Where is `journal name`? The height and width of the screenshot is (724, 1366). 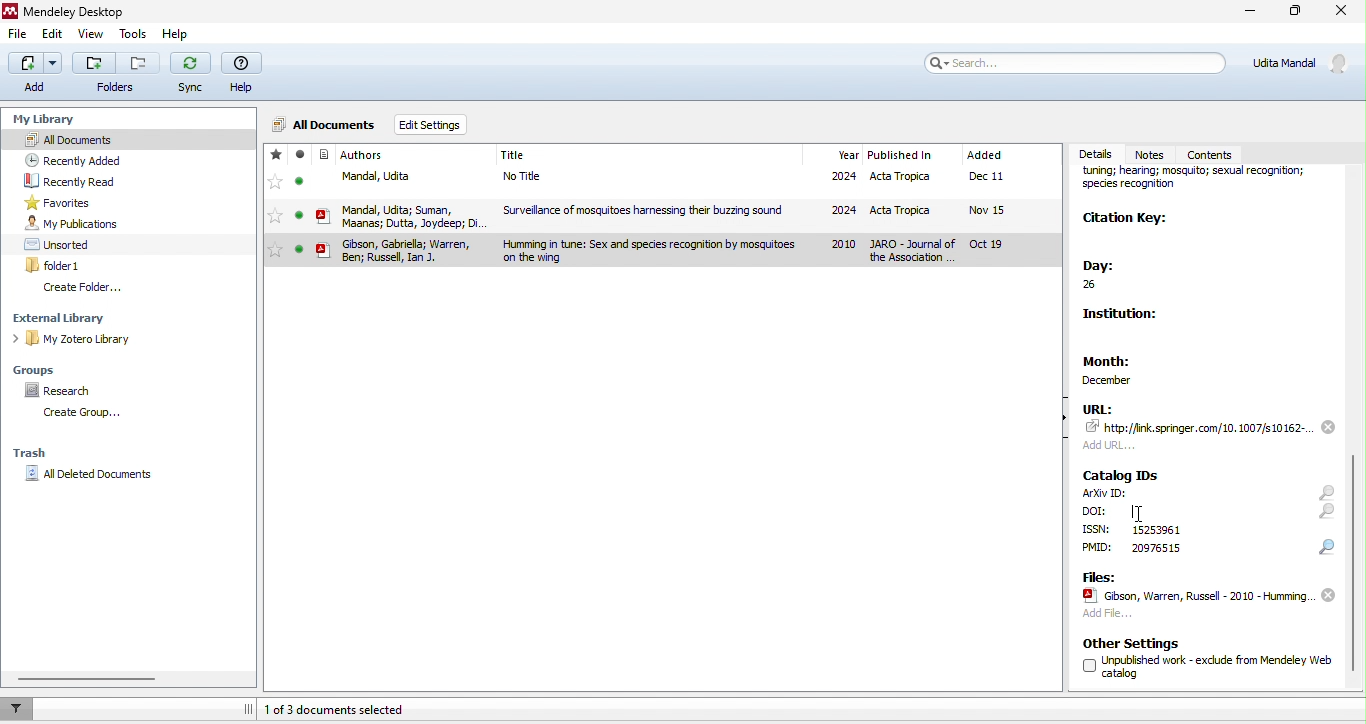
journal name is located at coordinates (1201, 185).